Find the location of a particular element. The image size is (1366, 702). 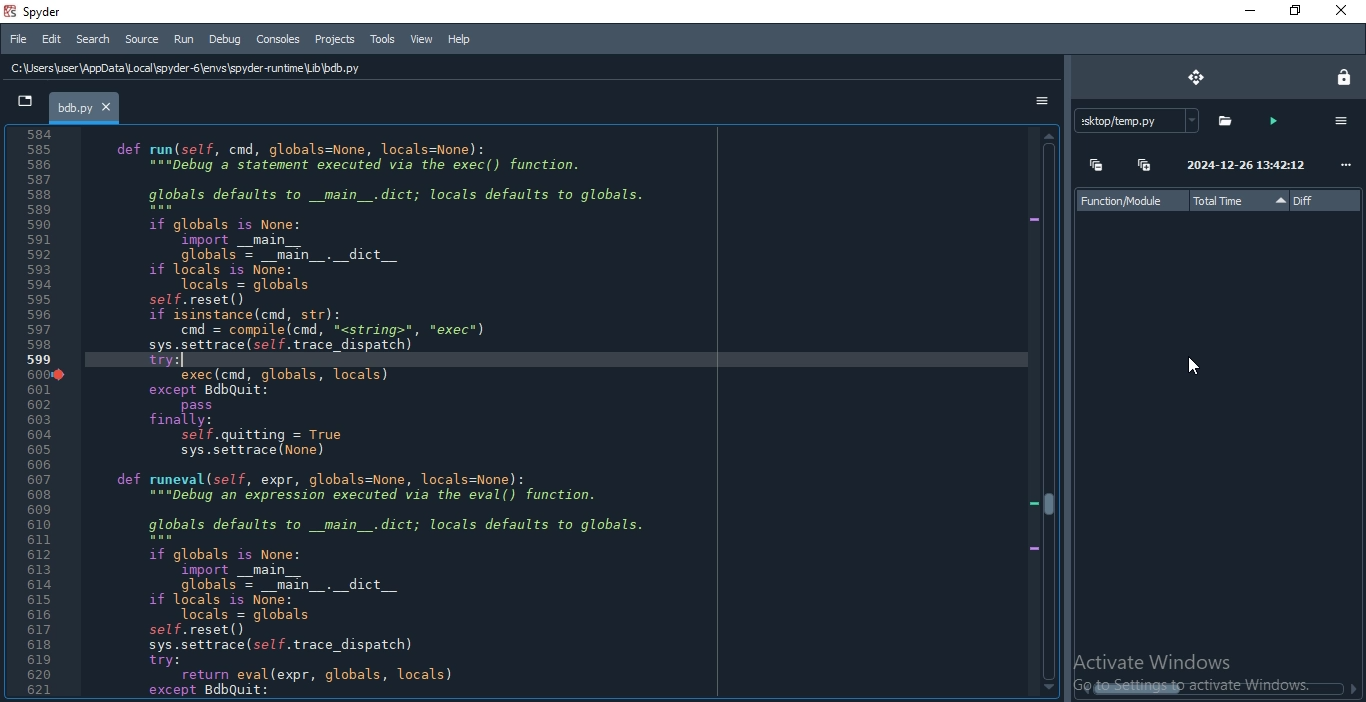

Help is located at coordinates (463, 40).